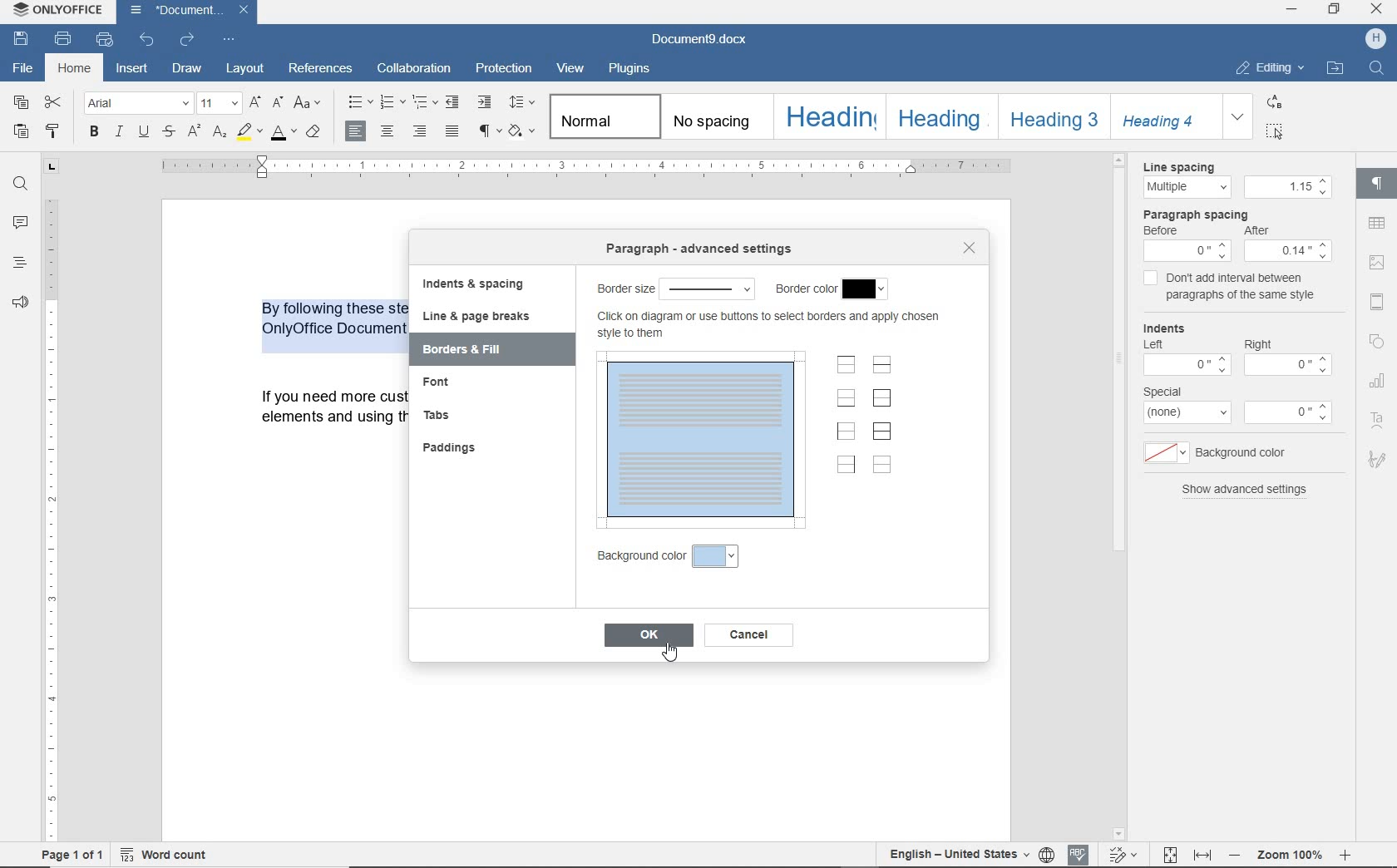 Image resolution: width=1397 pixels, height=868 pixels. What do you see at coordinates (766, 326) in the screenshot?
I see `more info` at bounding box center [766, 326].